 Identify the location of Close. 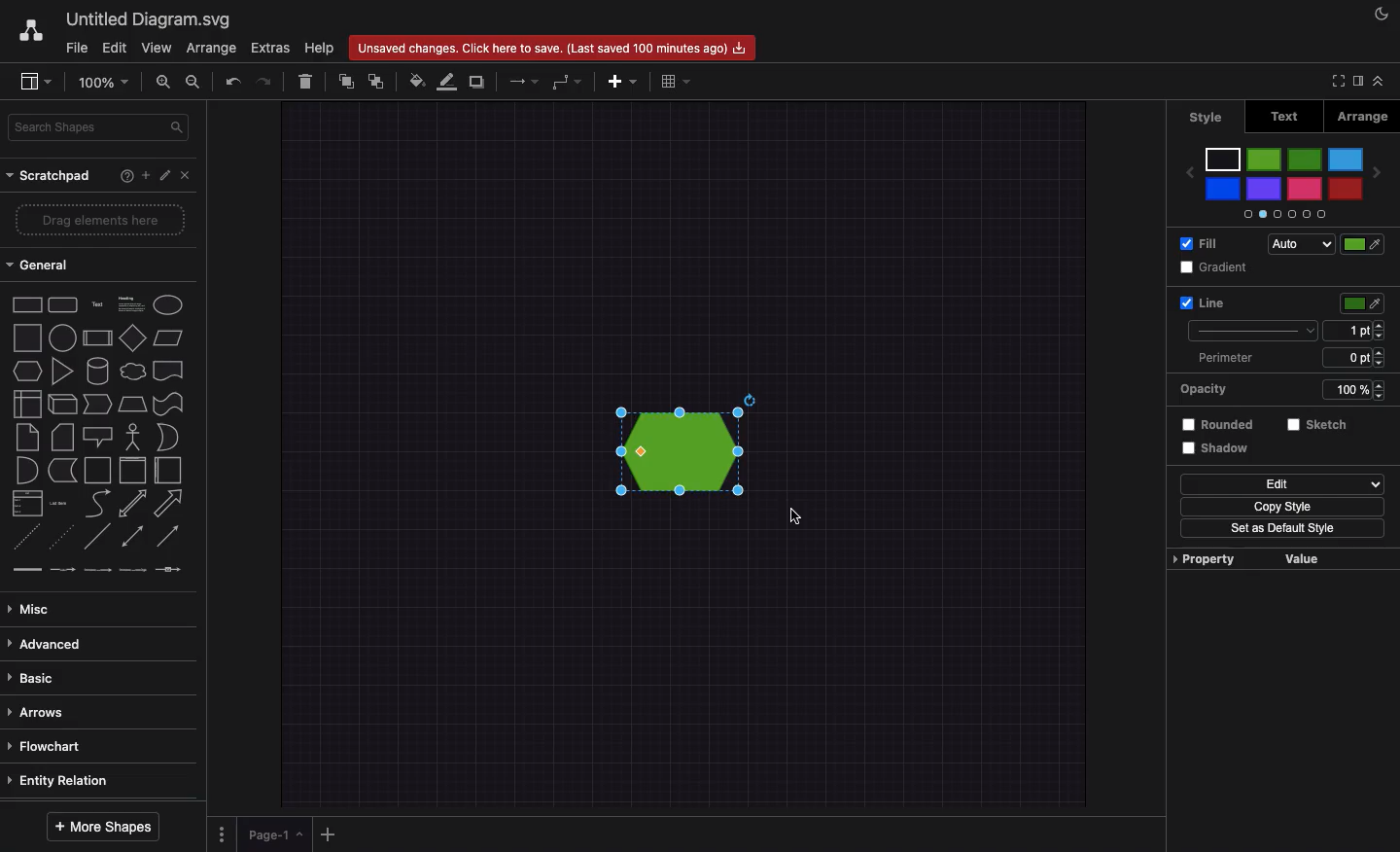
(187, 175).